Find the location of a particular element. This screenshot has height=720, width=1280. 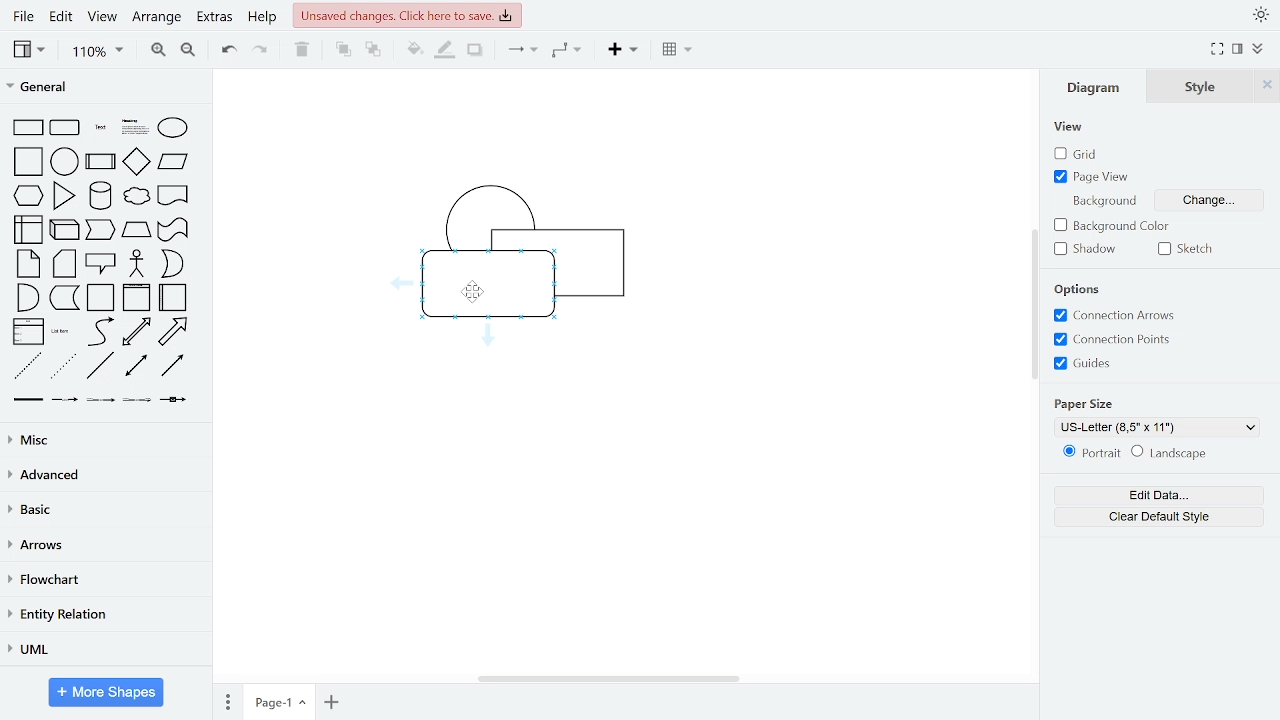

add page is located at coordinates (334, 700).